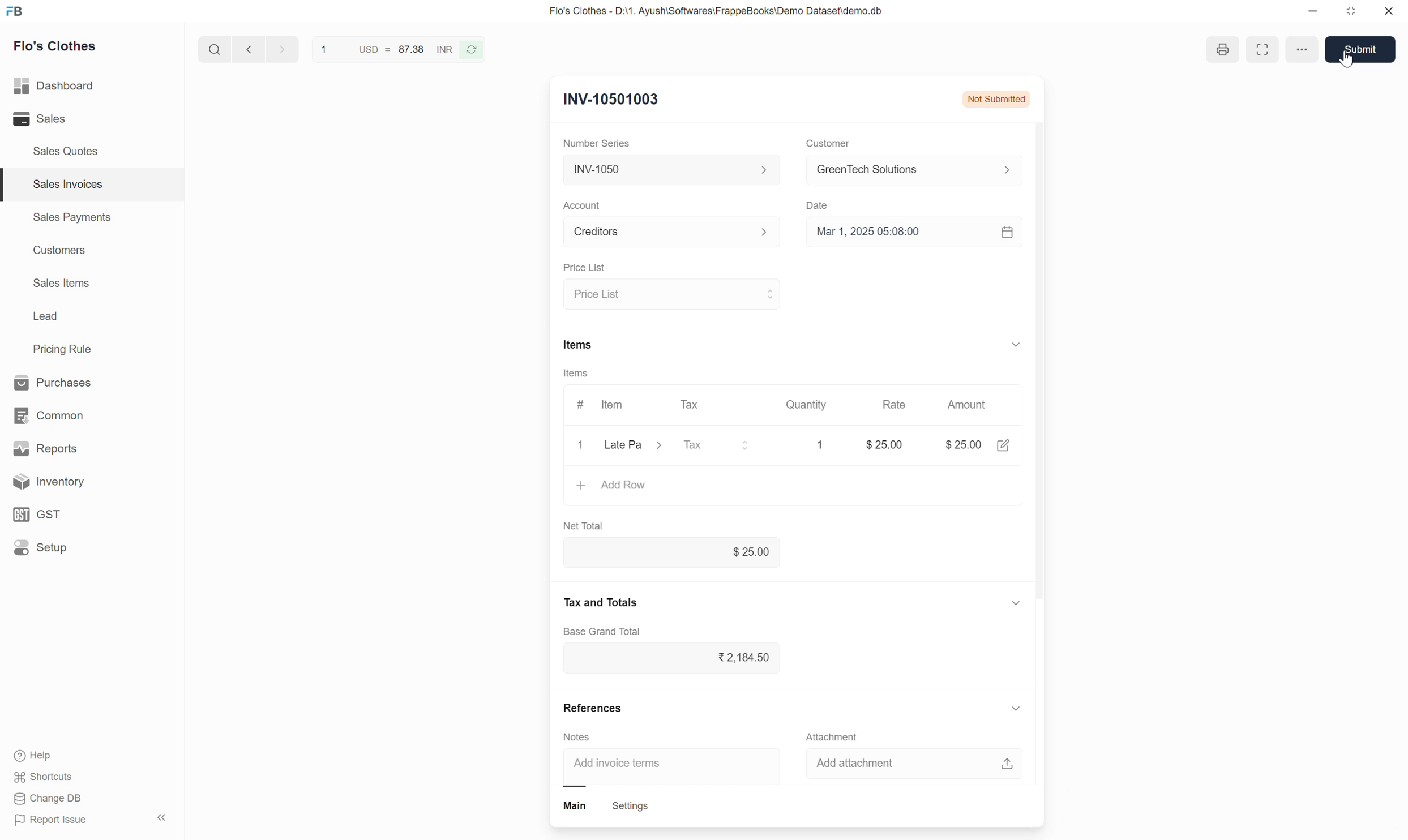 Image resolution: width=1408 pixels, height=840 pixels. Describe the element at coordinates (609, 100) in the screenshot. I see `New Entry` at that location.